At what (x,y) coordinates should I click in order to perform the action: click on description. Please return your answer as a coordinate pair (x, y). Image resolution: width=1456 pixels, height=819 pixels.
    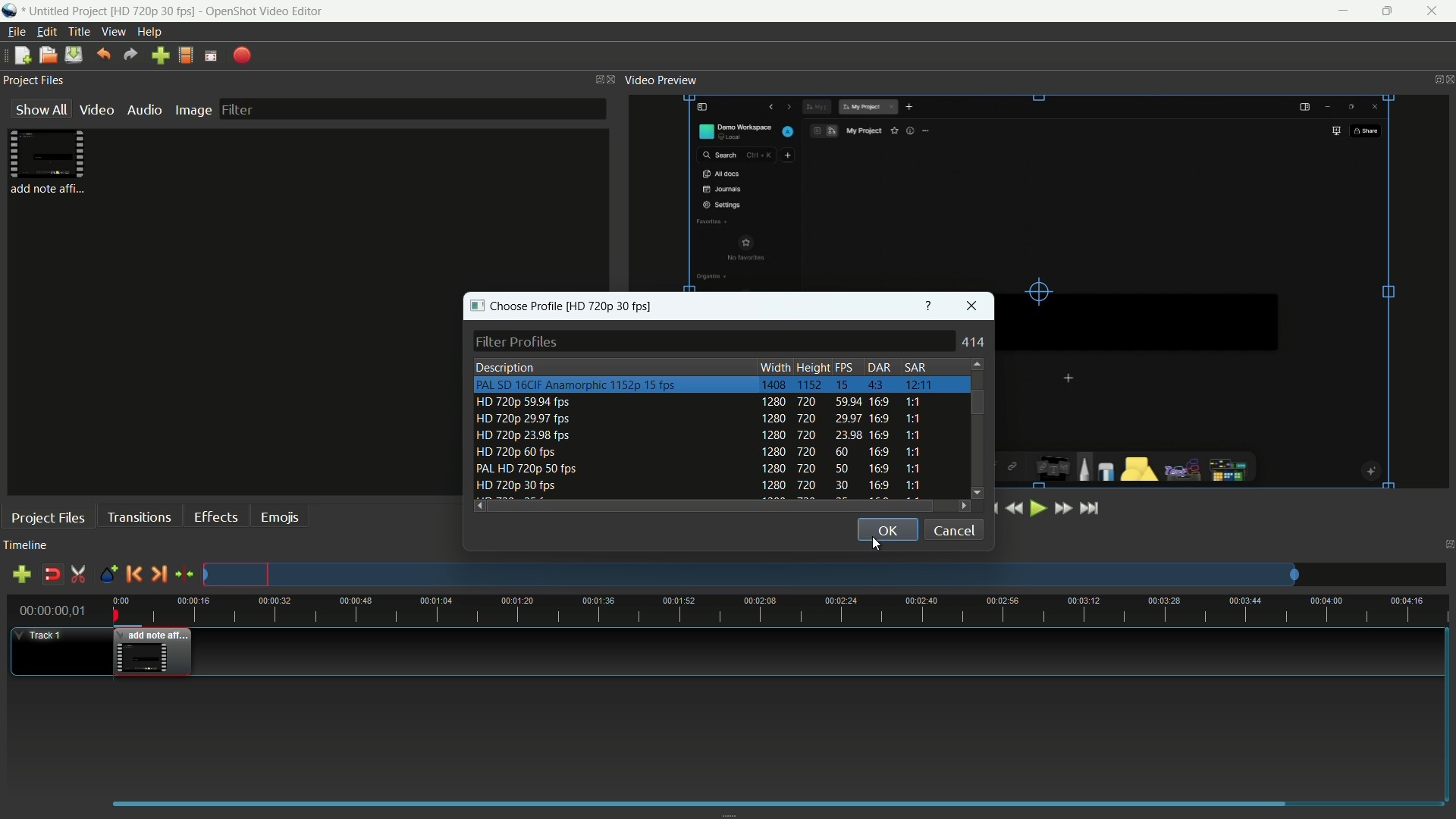
    Looking at the image, I should click on (504, 367).